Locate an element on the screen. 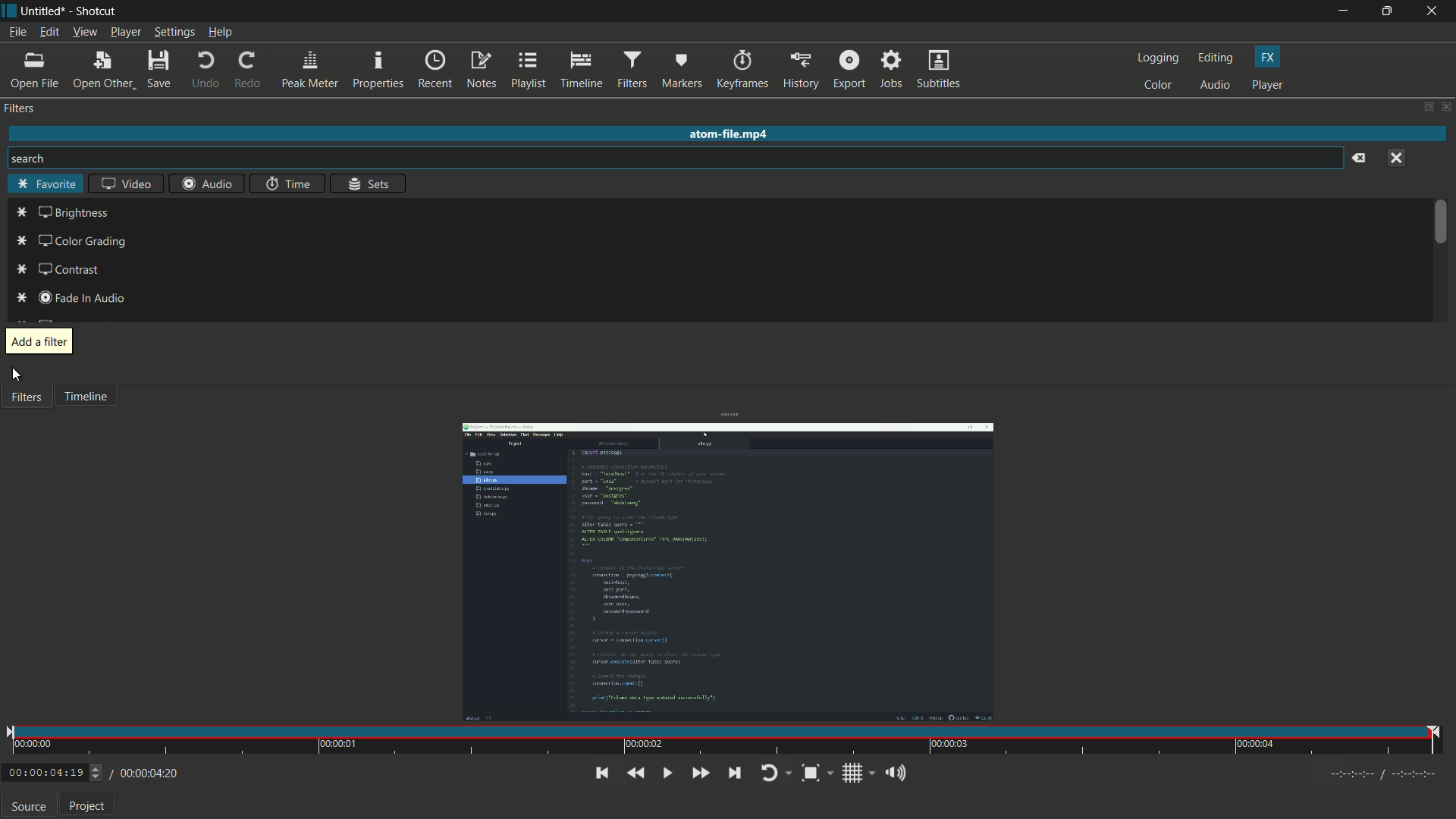 Image resolution: width=1456 pixels, height=819 pixels. clear search is located at coordinates (1360, 158).